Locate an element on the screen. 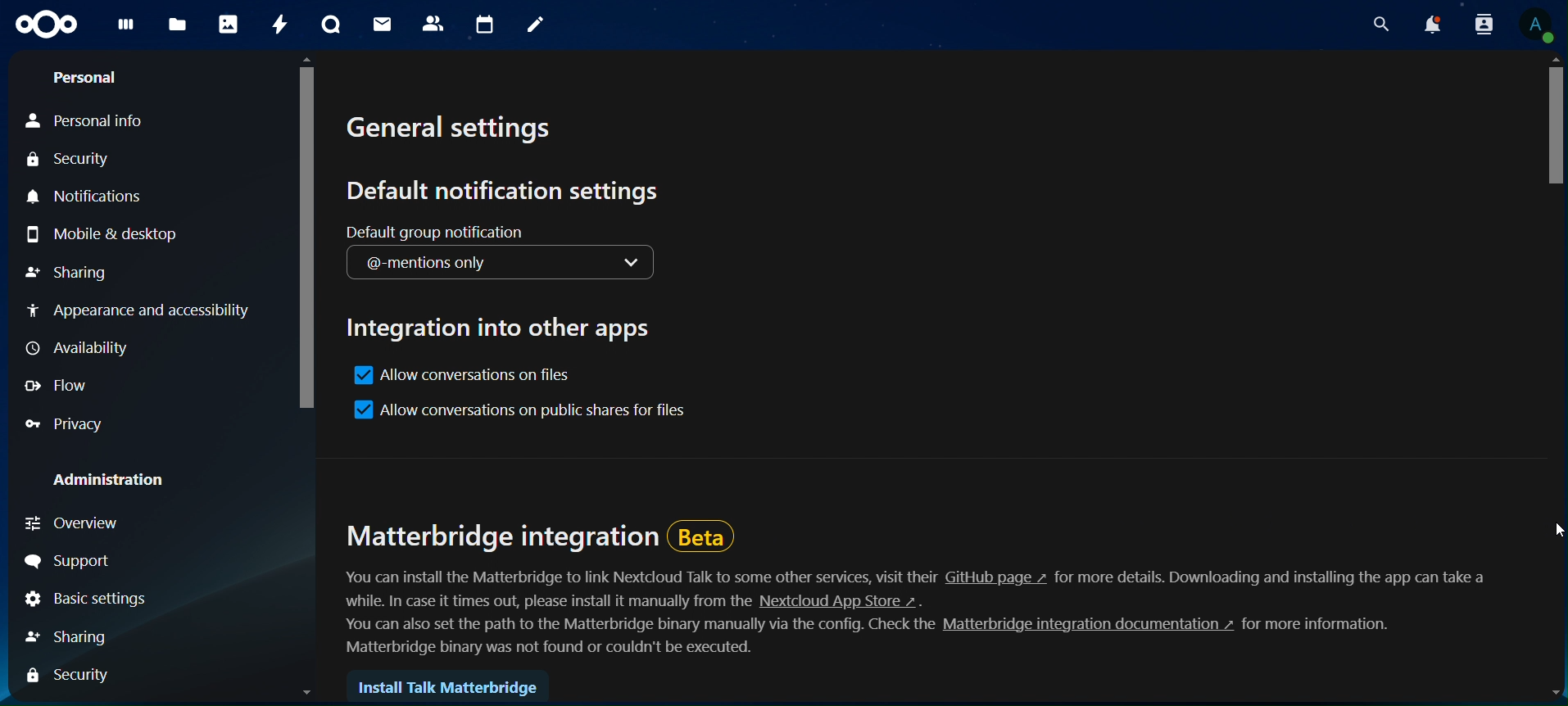 This screenshot has height=706, width=1568. Basic Settings is located at coordinates (84, 599).